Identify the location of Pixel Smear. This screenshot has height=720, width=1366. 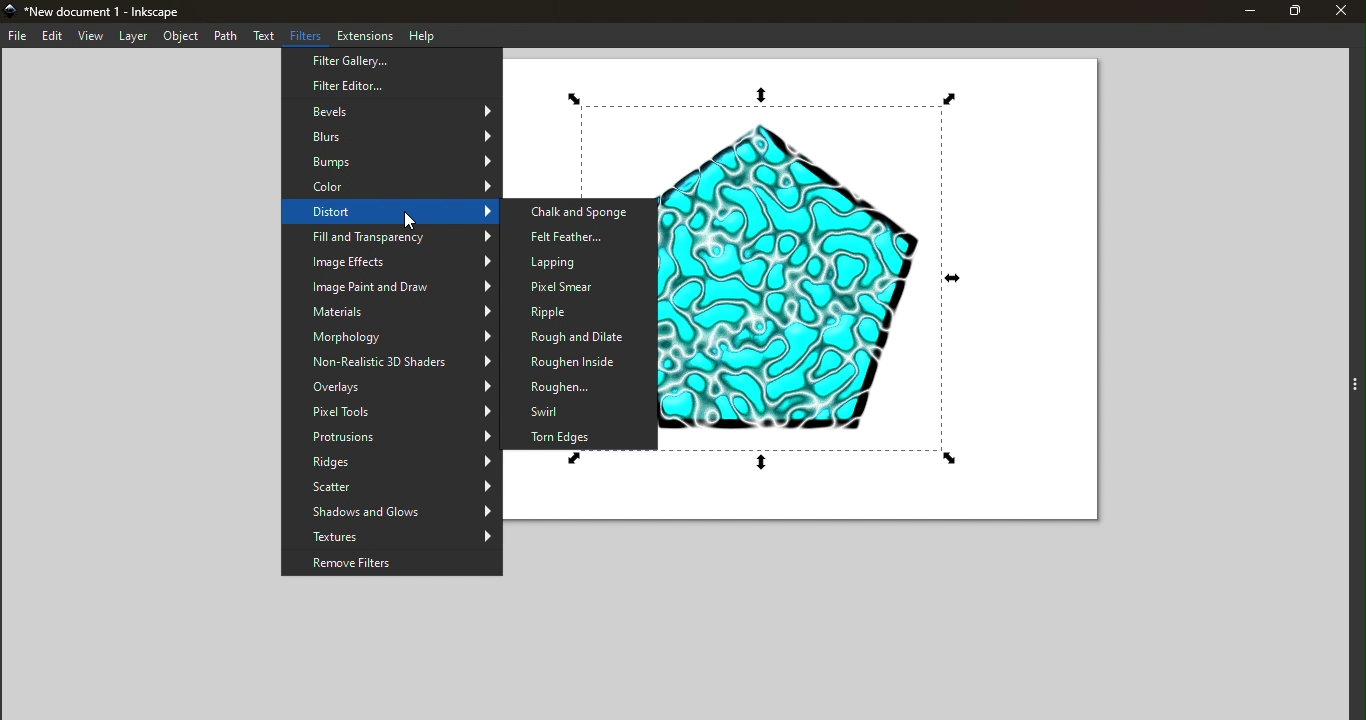
(580, 288).